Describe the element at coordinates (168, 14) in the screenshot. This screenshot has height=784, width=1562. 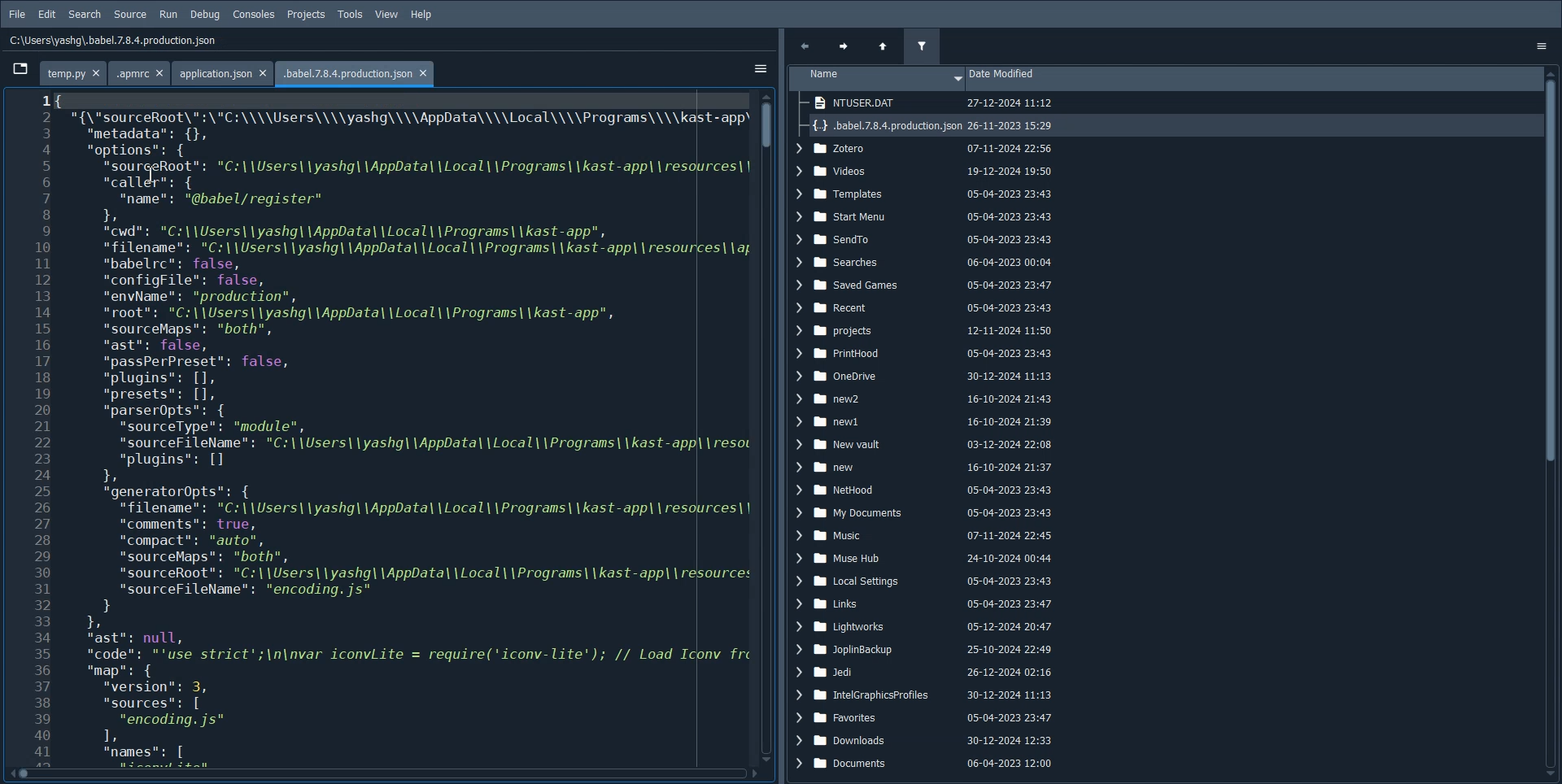
I see `Run` at that location.